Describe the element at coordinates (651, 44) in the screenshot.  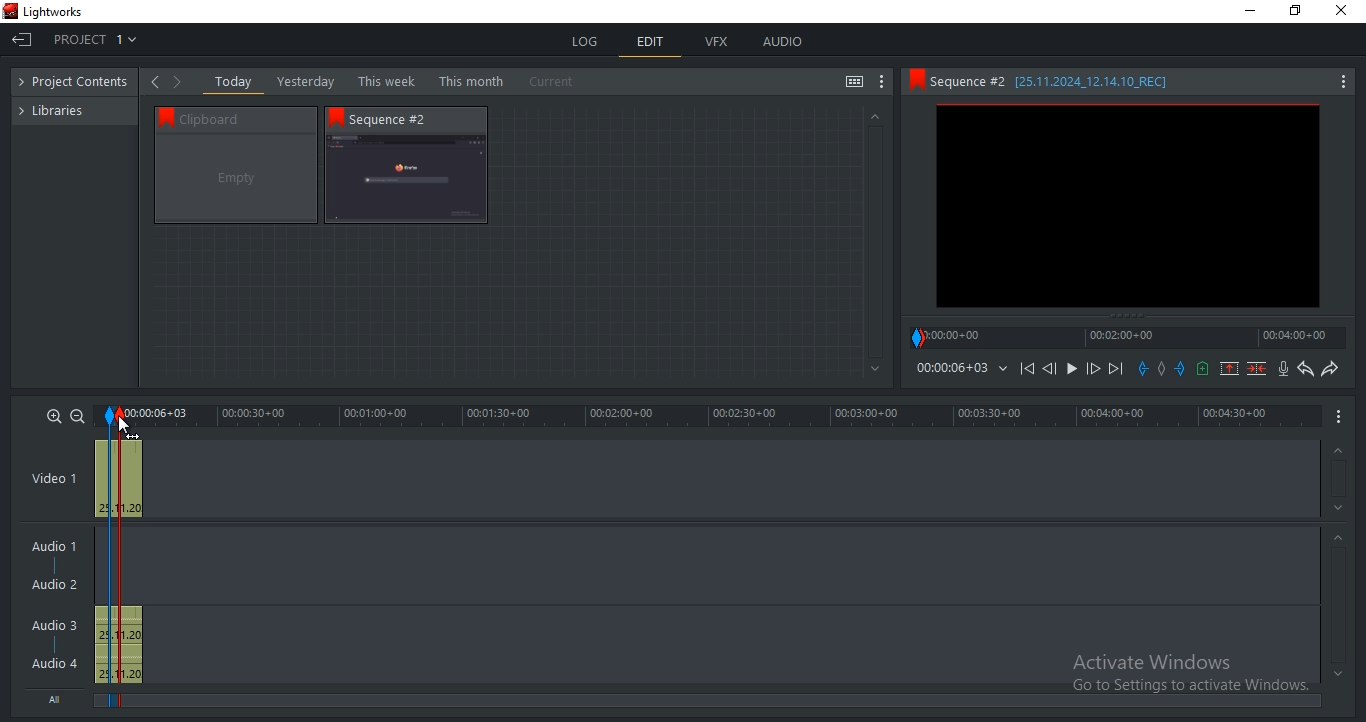
I see `edit` at that location.